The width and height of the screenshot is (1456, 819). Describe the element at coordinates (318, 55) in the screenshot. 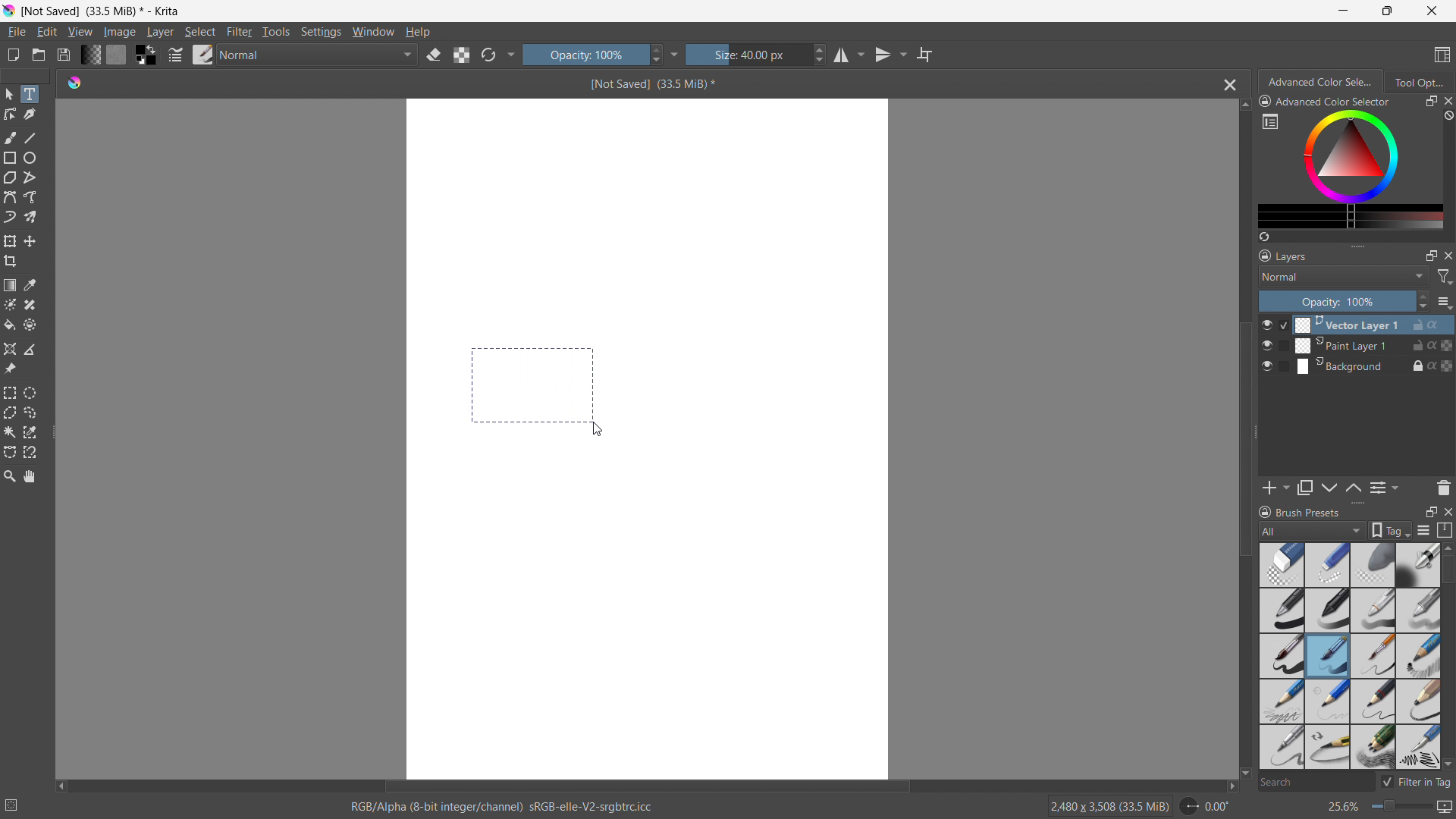

I see `blending mode` at that location.